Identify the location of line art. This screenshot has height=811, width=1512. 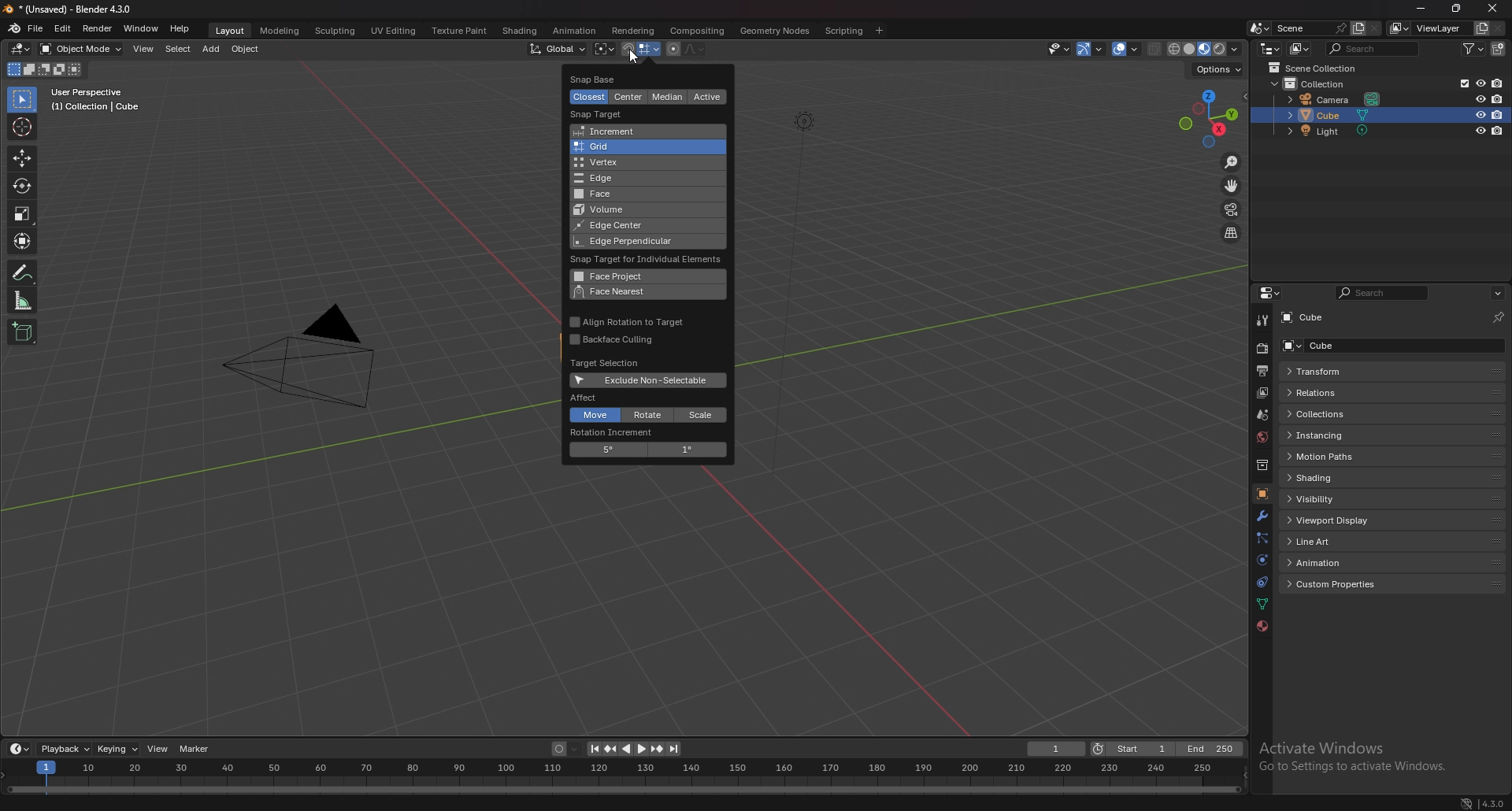
(1335, 541).